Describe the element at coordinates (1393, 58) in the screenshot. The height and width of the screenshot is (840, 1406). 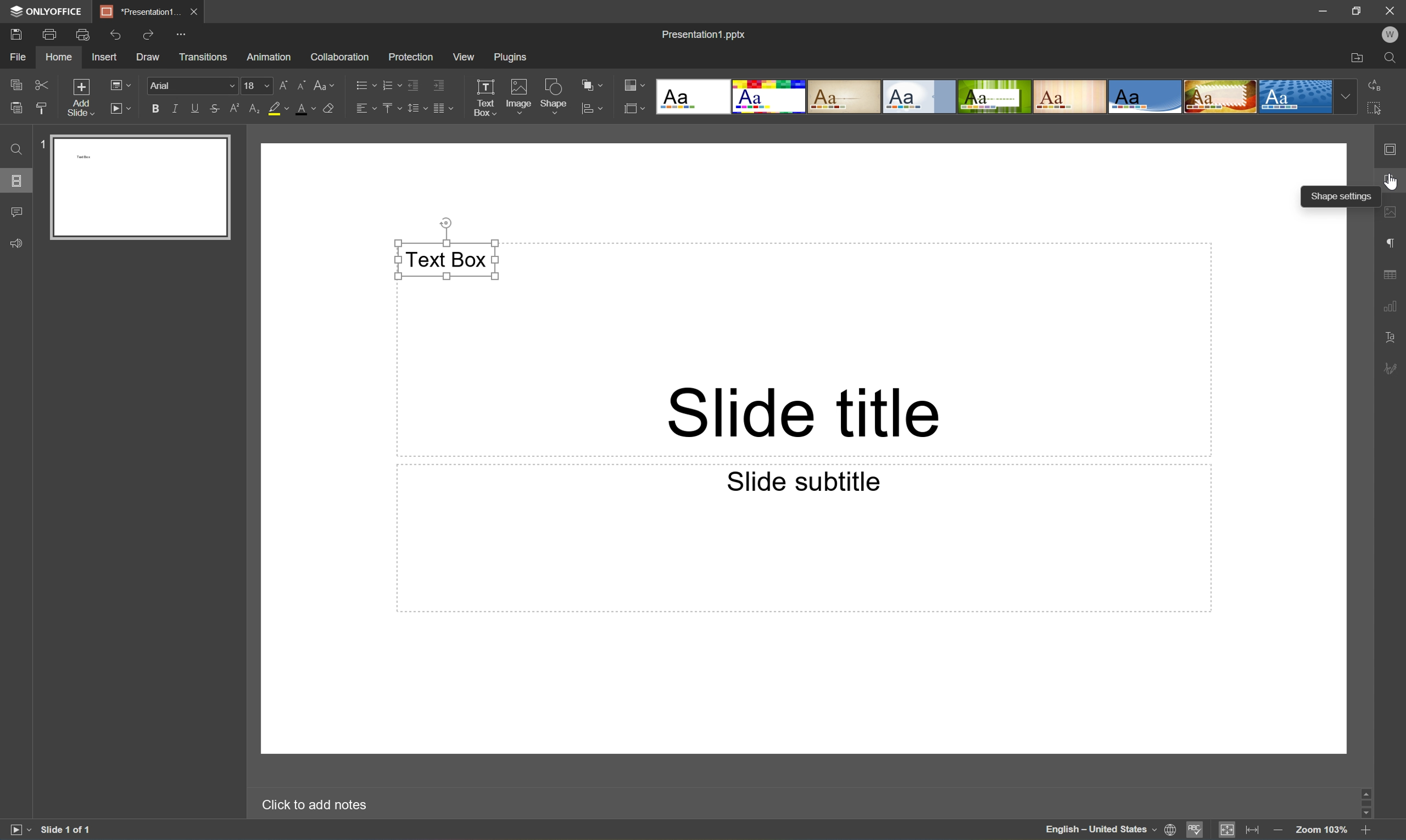
I see `Find` at that location.